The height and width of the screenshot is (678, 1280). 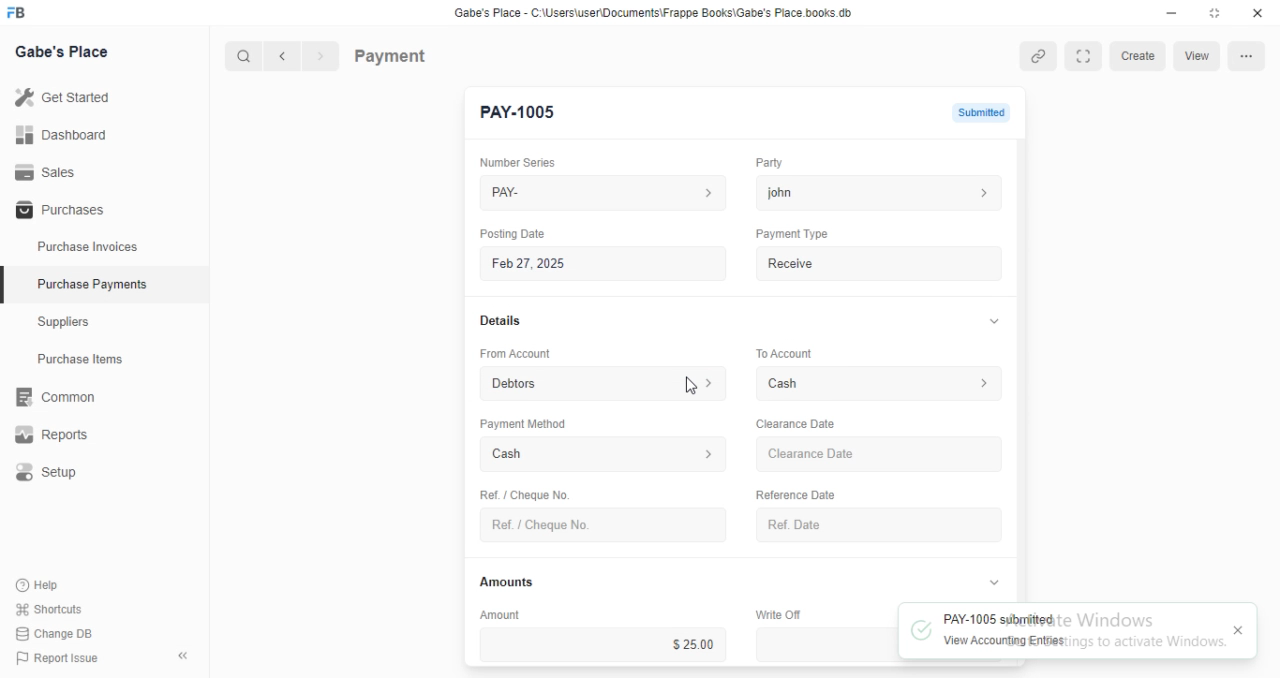 I want to click on Sales, so click(x=45, y=171).